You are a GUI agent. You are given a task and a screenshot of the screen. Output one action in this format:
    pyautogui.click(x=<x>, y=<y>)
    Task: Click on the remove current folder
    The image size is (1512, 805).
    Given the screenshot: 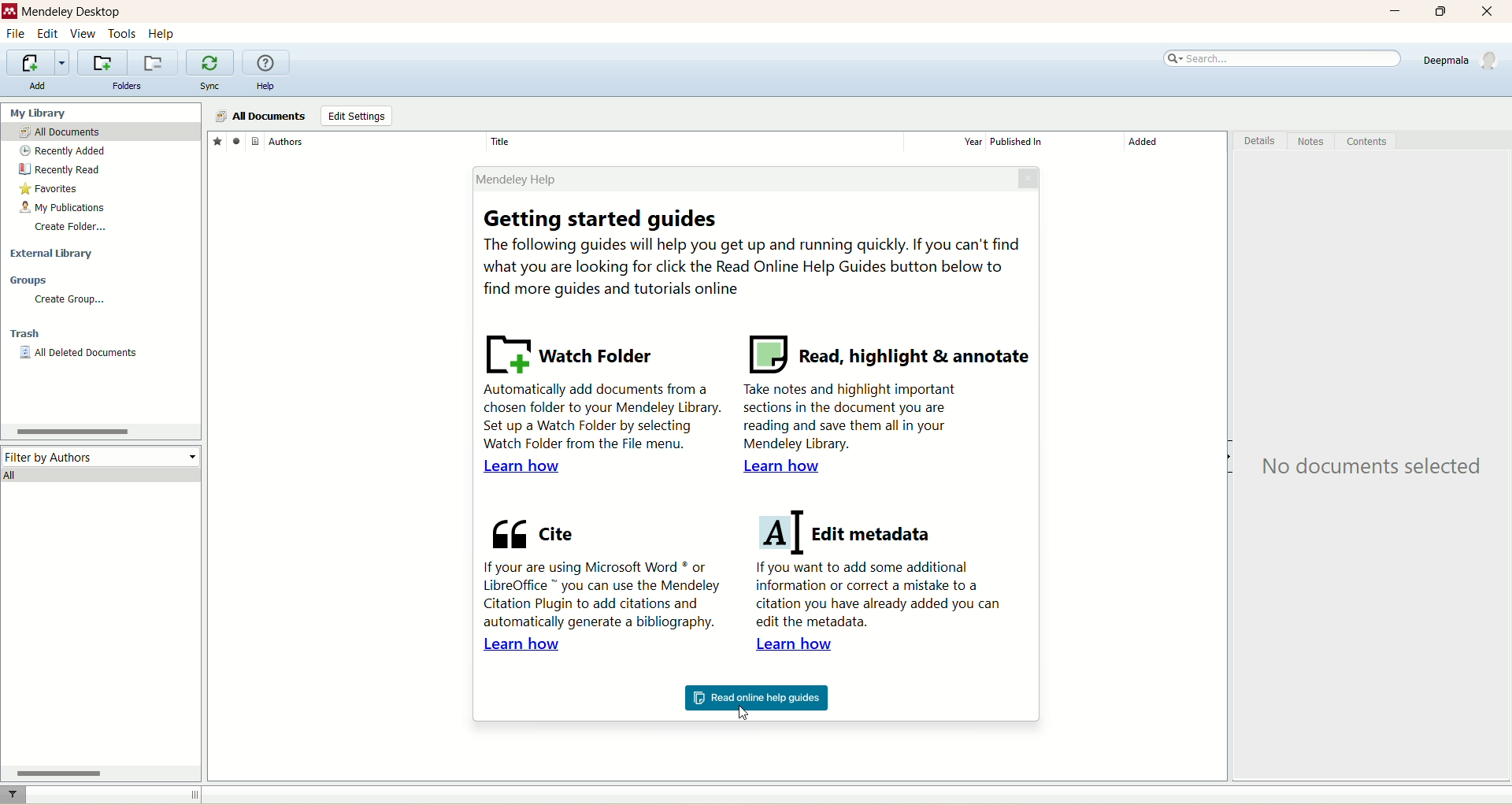 What is the action you would take?
    pyautogui.click(x=152, y=62)
    